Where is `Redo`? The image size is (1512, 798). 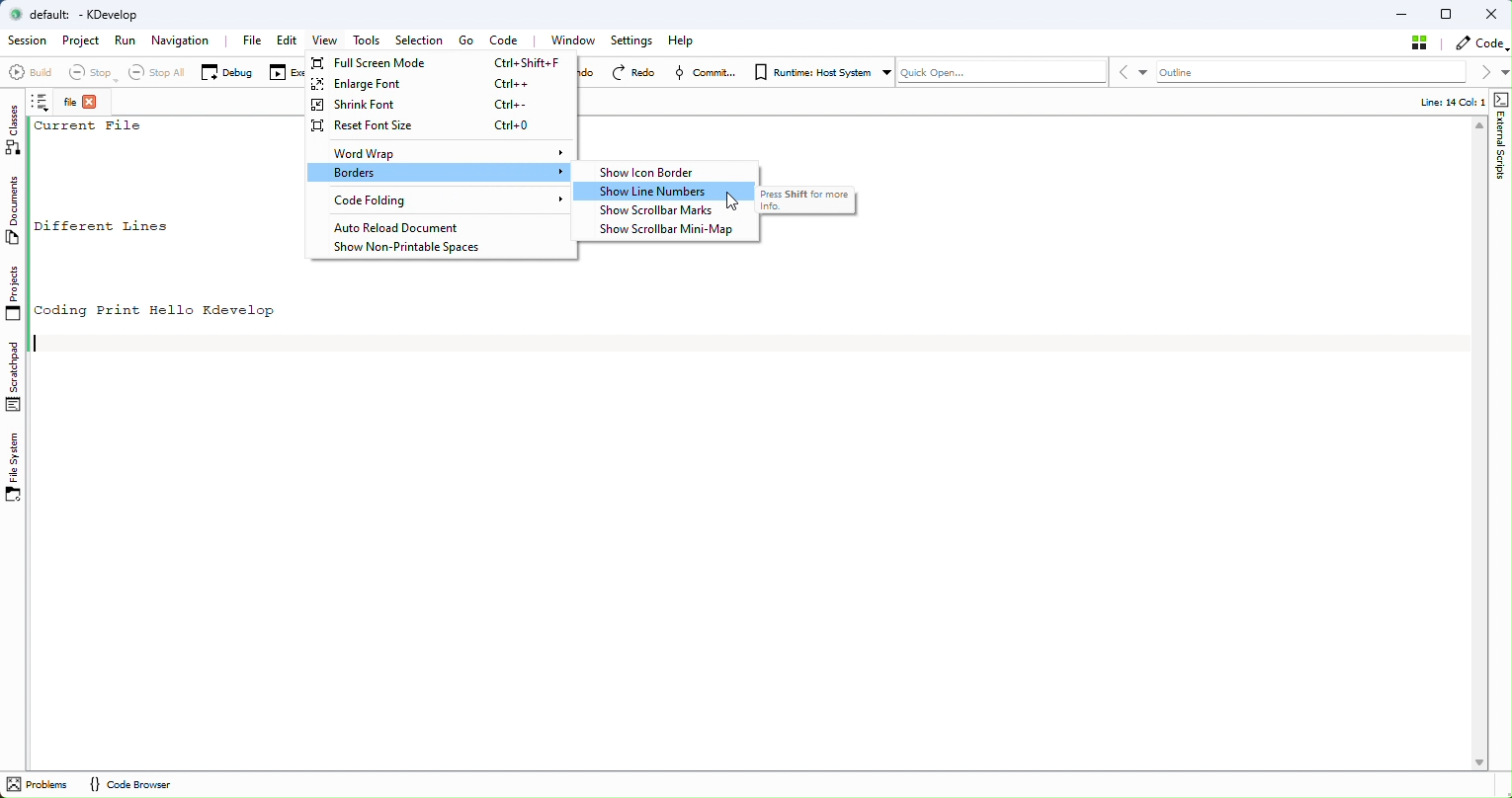 Redo is located at coordinates (636, 72).